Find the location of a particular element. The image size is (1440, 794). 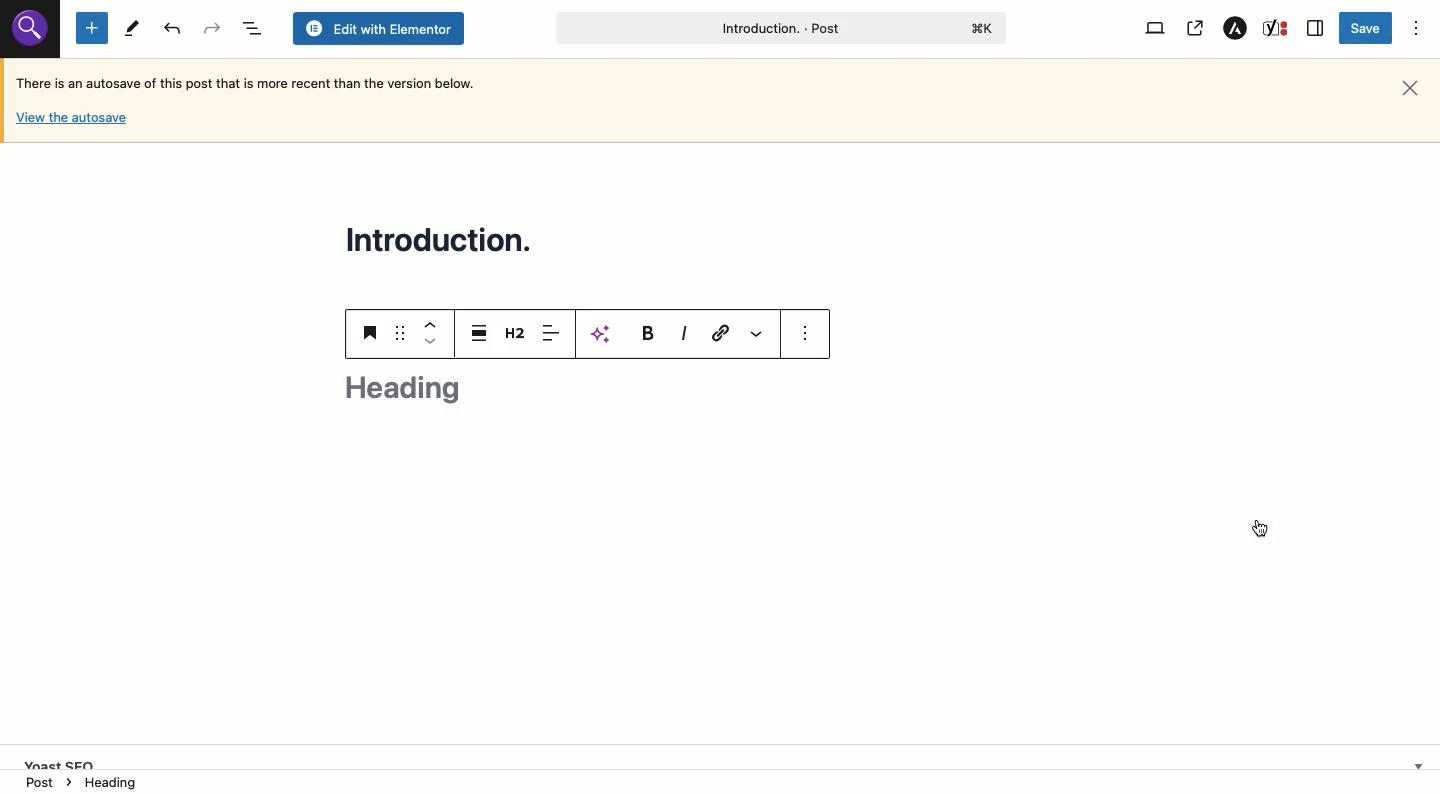

Yoast is located at coordinates (1277, 29).